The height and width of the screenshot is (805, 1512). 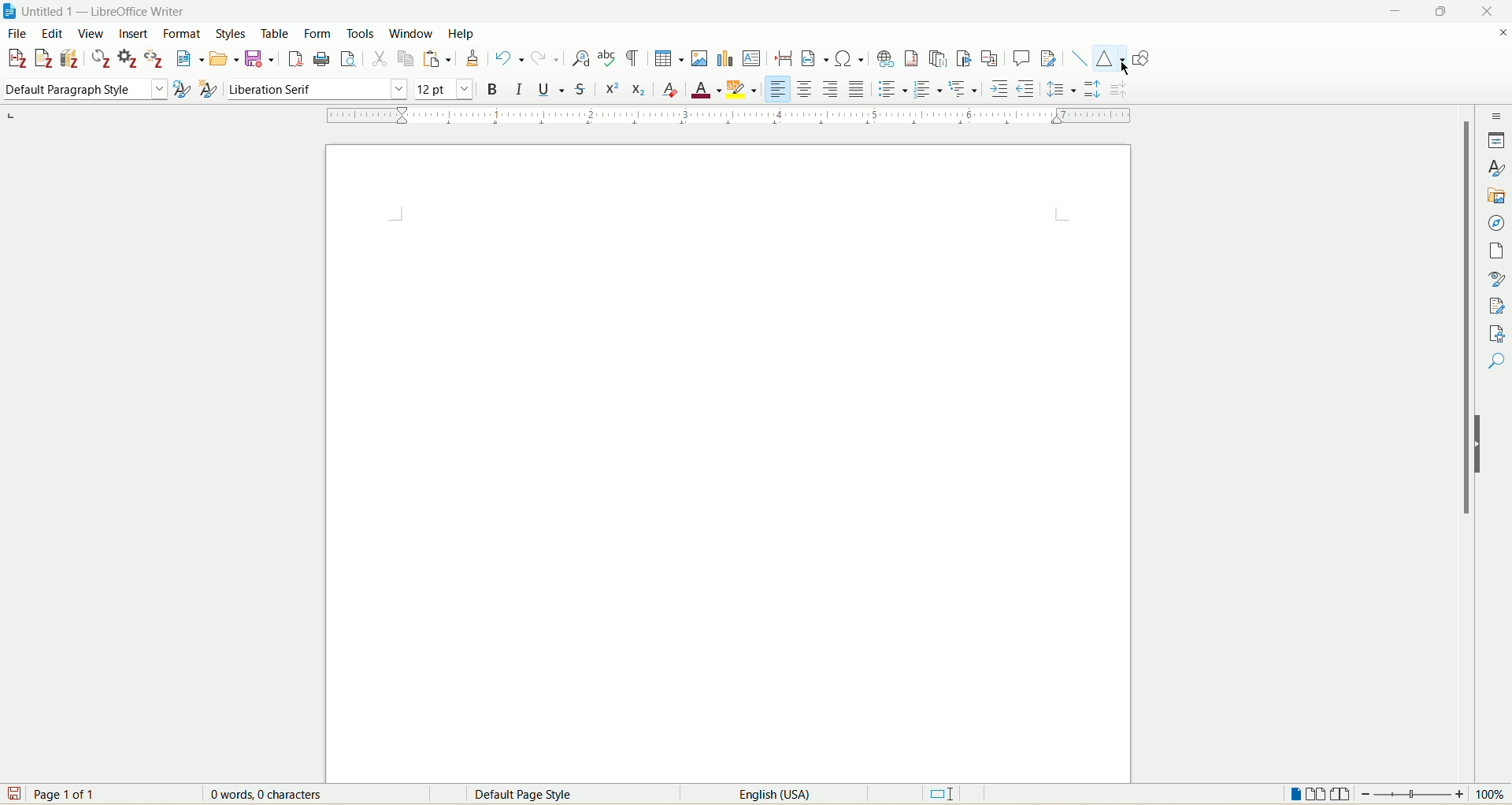 I want to click on strikethrough, so click(x=579, y=90).